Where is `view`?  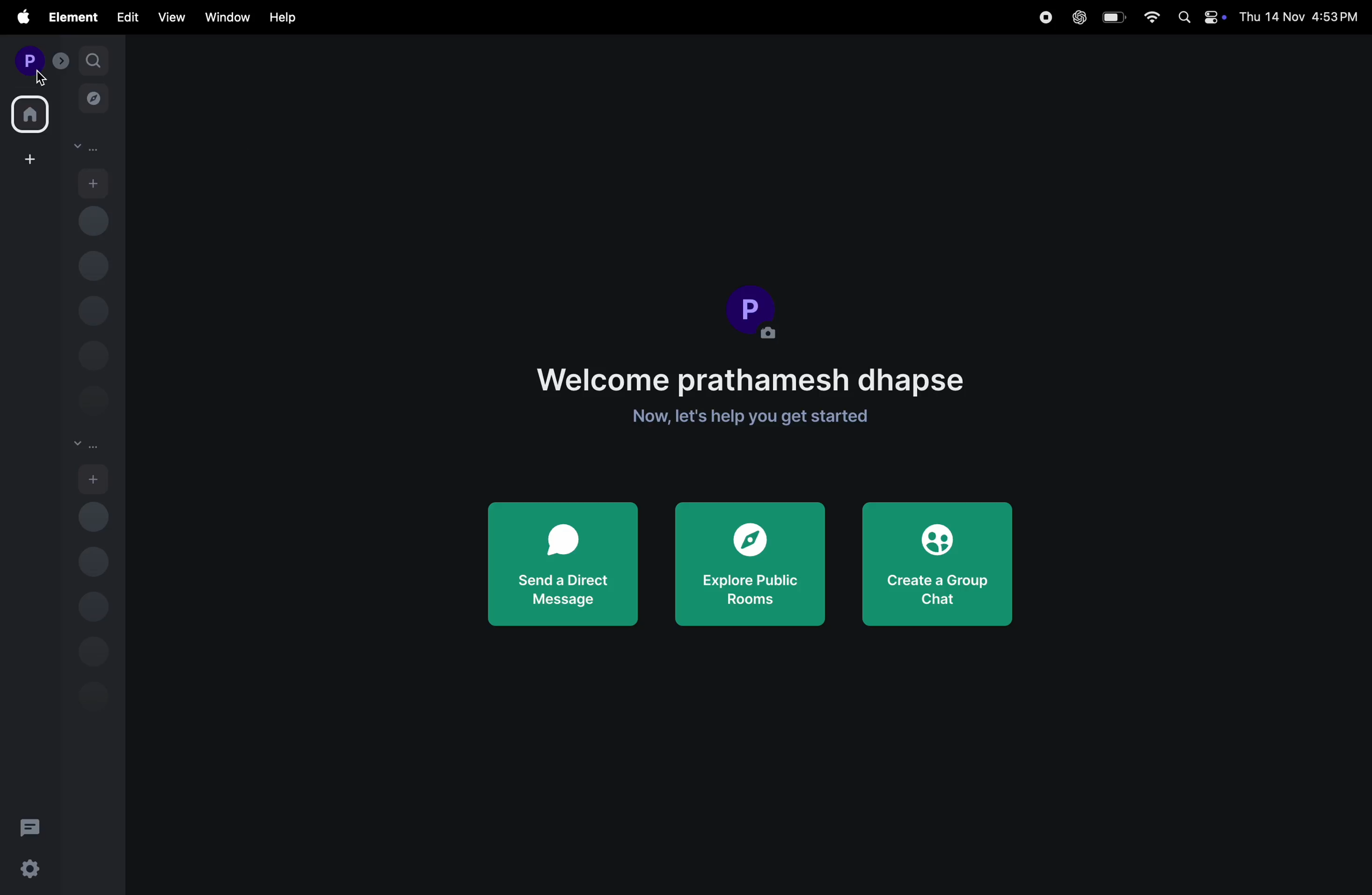 view is located at coordinates (169, 18).